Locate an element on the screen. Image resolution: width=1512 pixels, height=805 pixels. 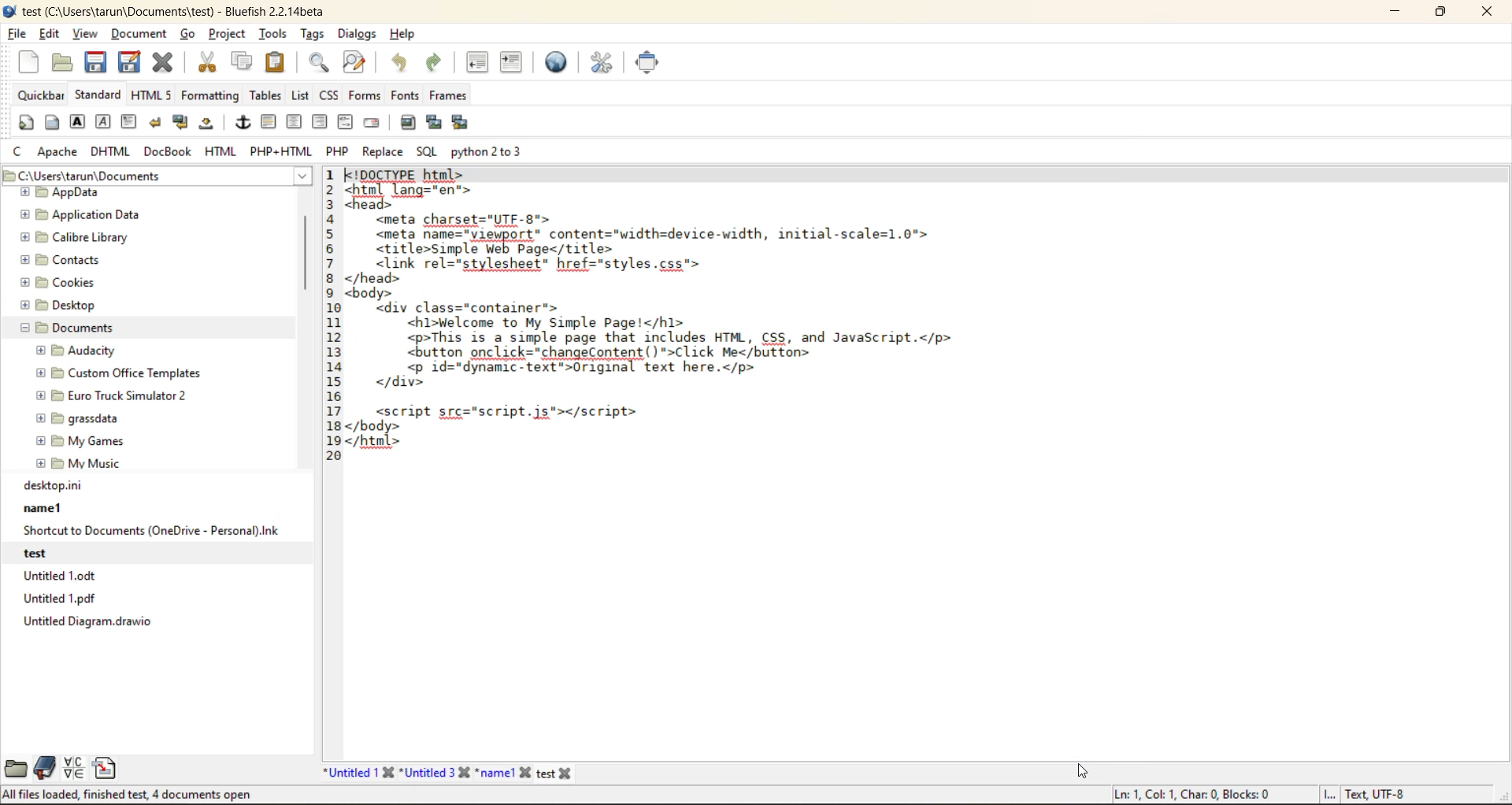
Current directory is located at coordinates (215, 176).